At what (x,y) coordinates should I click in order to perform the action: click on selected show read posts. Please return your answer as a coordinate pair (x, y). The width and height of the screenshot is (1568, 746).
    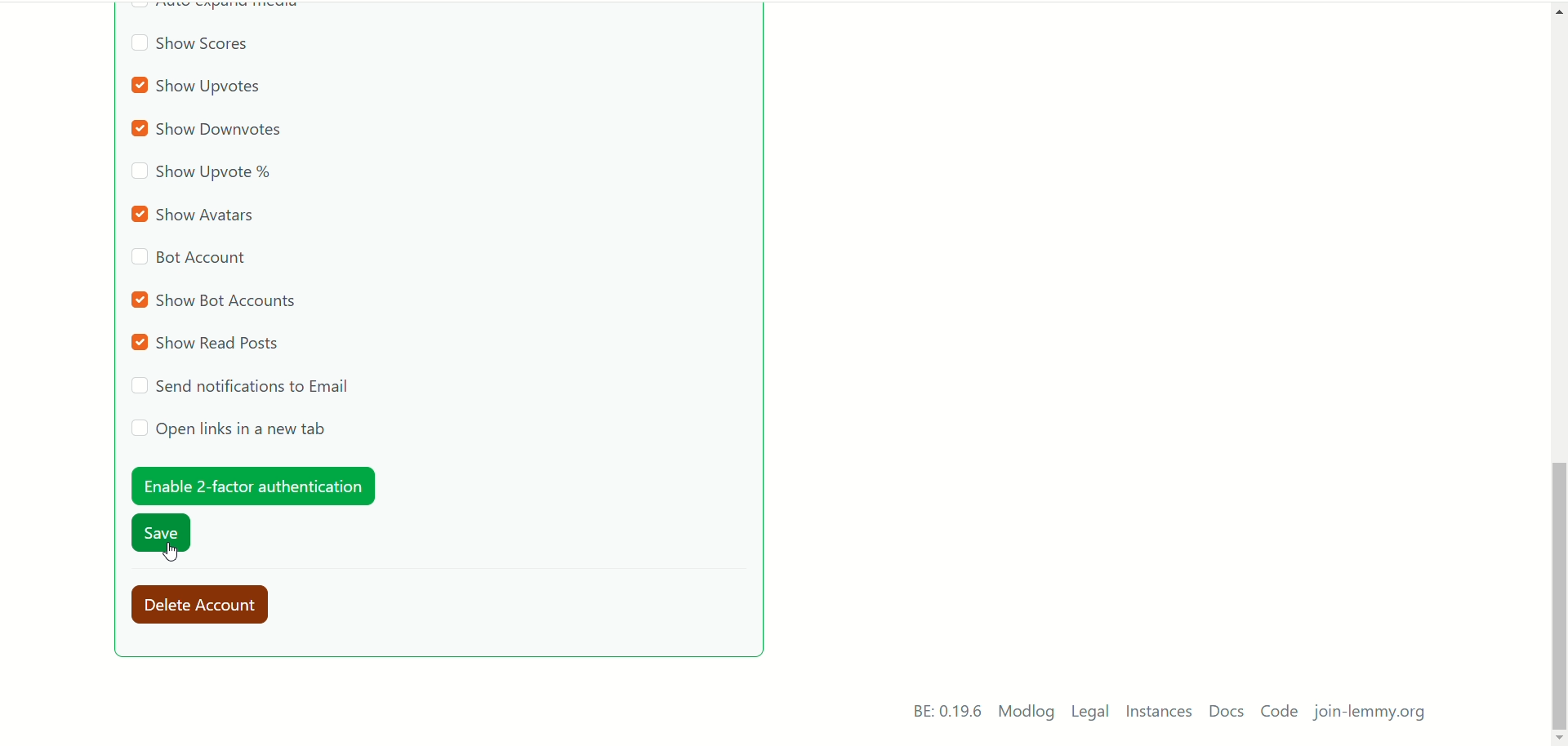
    Looking at the image, I should click on (208, 344).